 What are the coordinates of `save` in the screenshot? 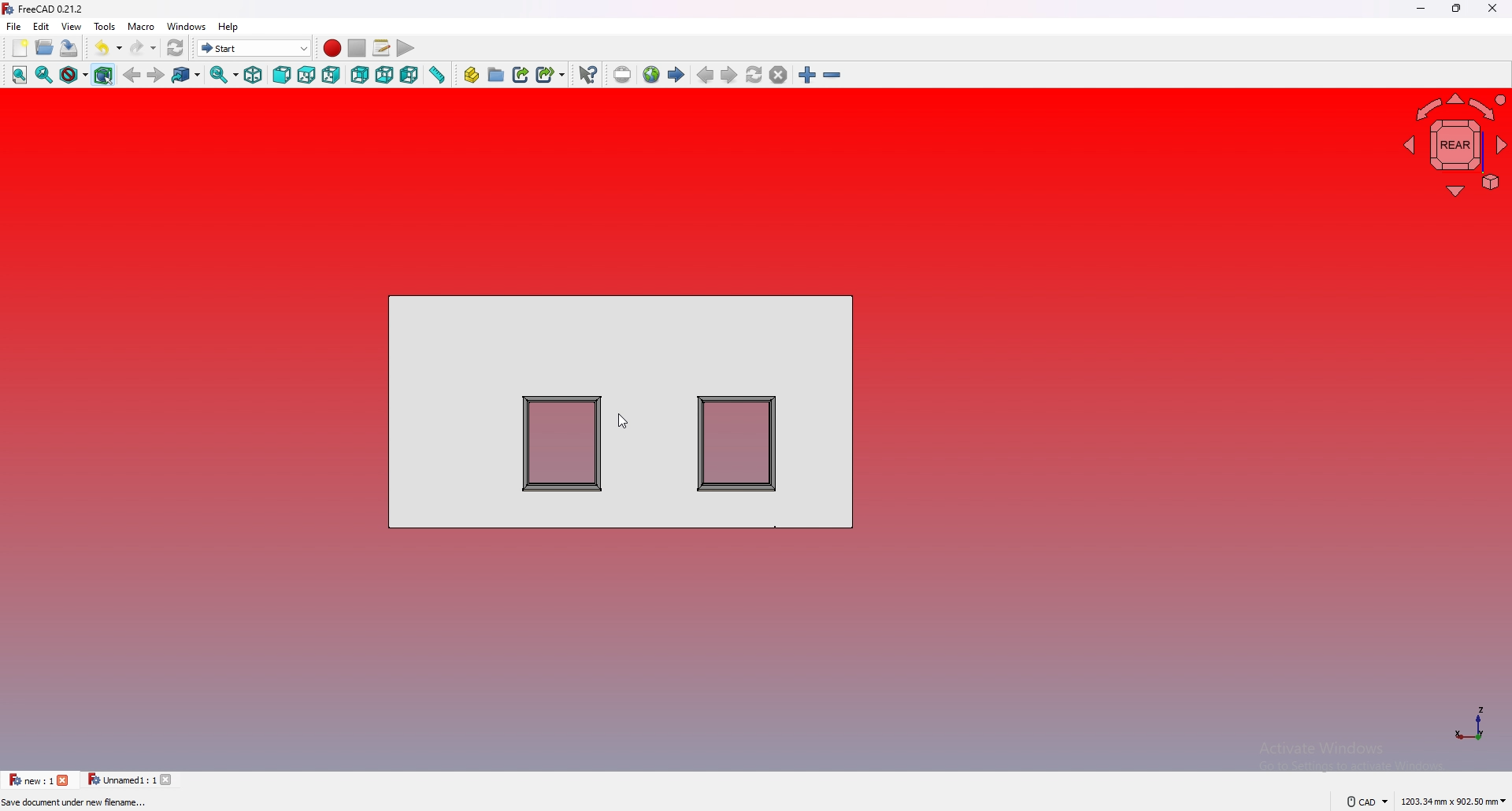 It's located at (70, 49).